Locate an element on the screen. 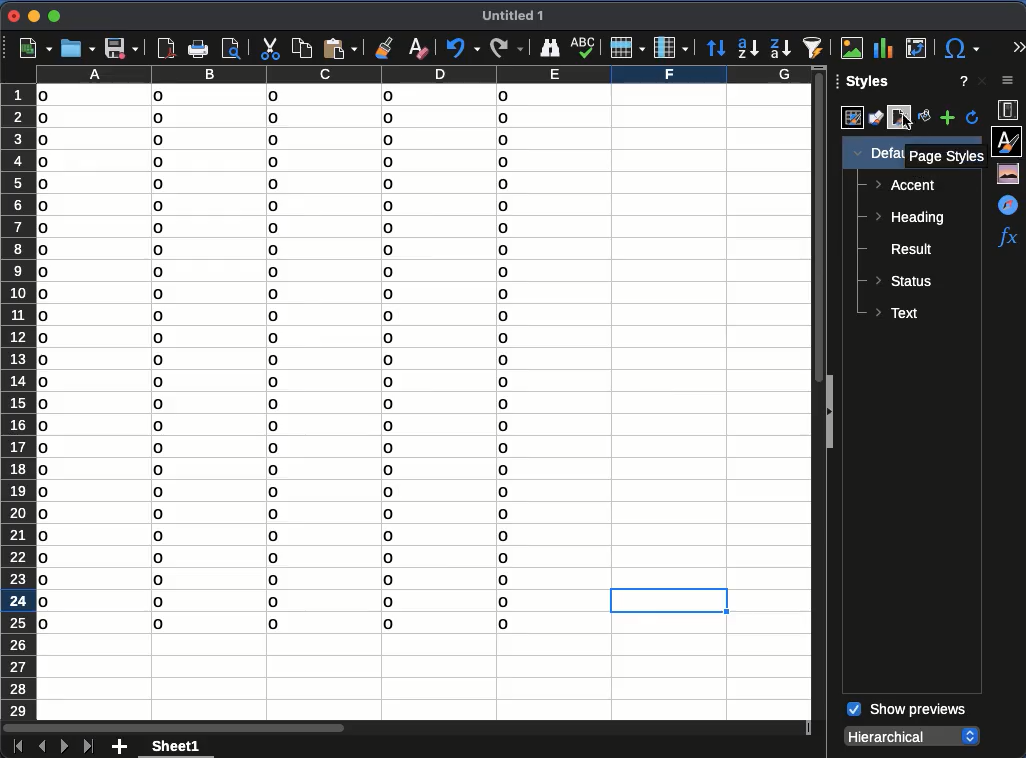 This screenshot has width=1026, height=758. close is located at coordinates (982, 81).